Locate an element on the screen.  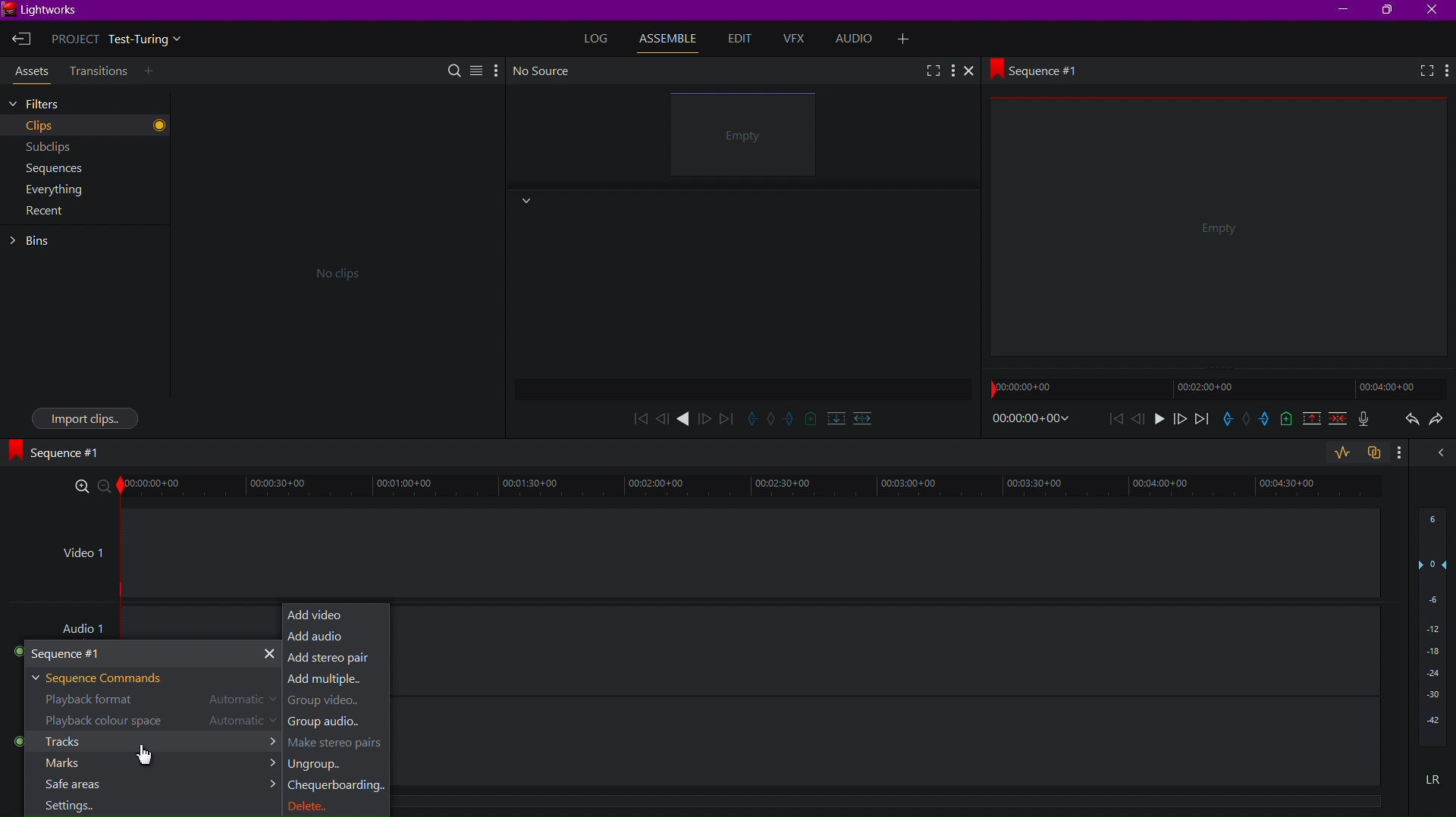
play is located at coordinates (1158, 421).